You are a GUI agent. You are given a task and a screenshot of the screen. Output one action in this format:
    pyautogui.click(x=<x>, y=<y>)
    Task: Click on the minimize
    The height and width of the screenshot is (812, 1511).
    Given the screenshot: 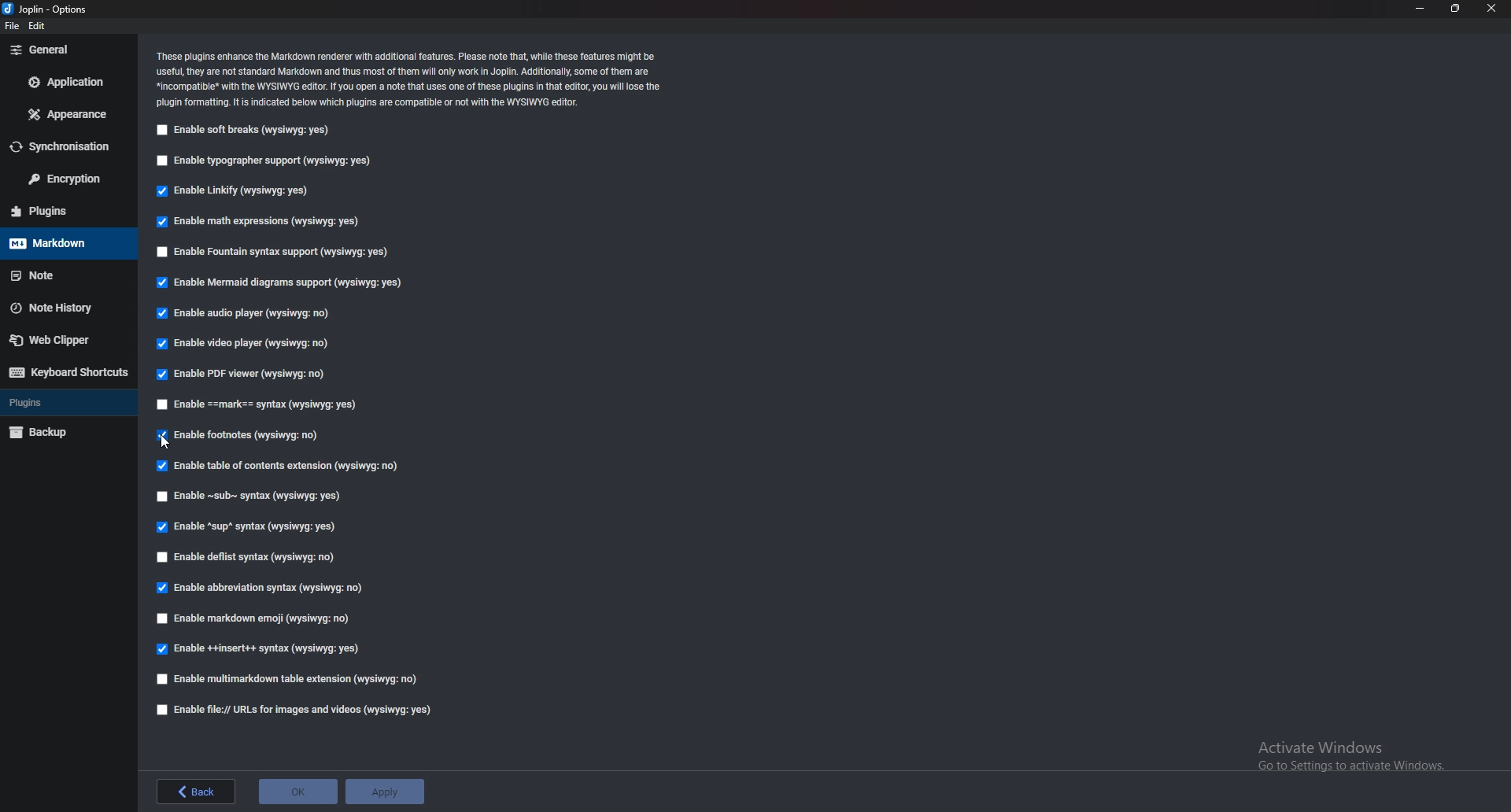 What is the action you would take?
    pyautogui.click(x=1421, y=9)
    